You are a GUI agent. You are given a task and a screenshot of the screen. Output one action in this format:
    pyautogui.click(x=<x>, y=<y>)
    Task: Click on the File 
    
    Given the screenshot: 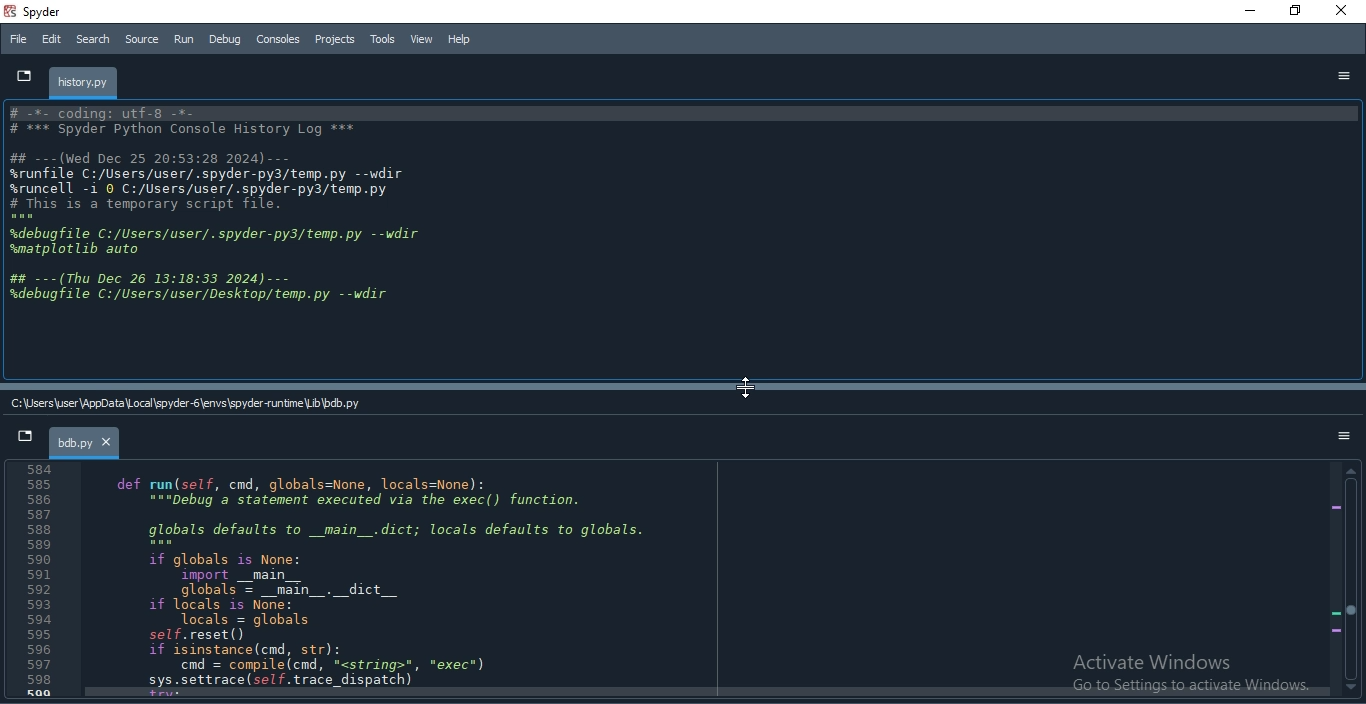 What is the action you would take?
    pyautogui.click(x=18, y=38)
    